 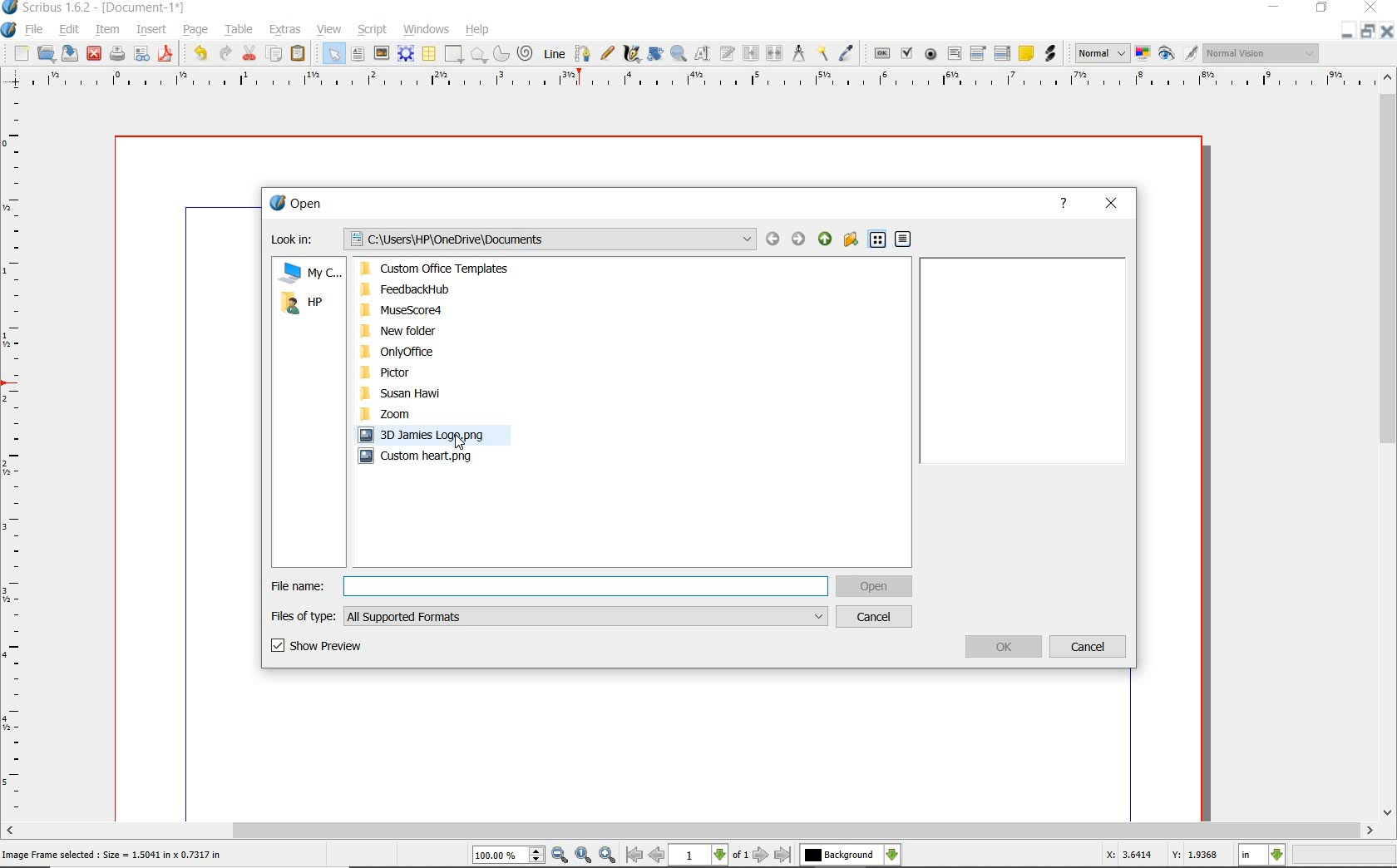 I want to click on Look in, so click(x=514, y=240).